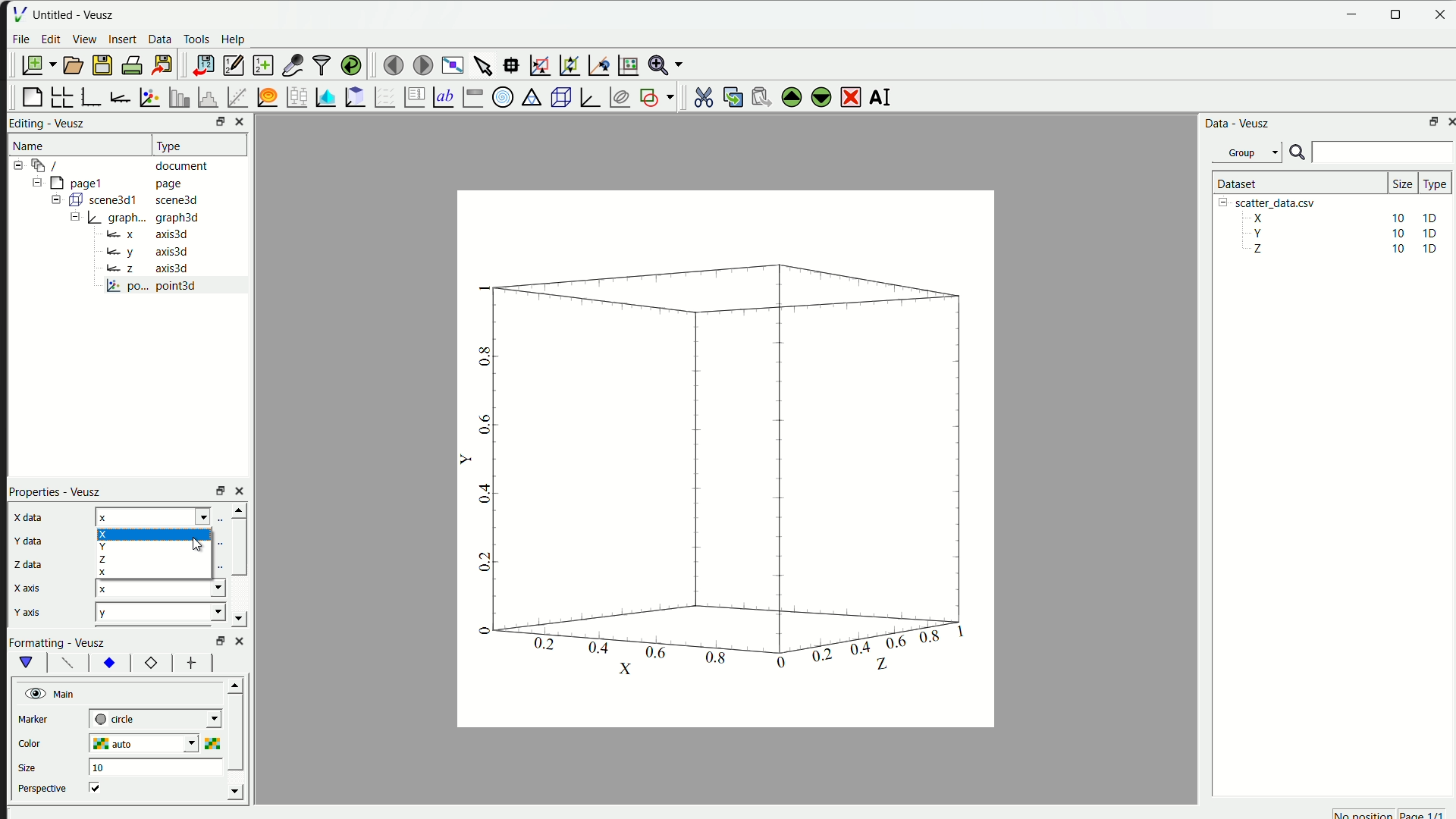  I want to click on = x axis3d, so click(155, 234).